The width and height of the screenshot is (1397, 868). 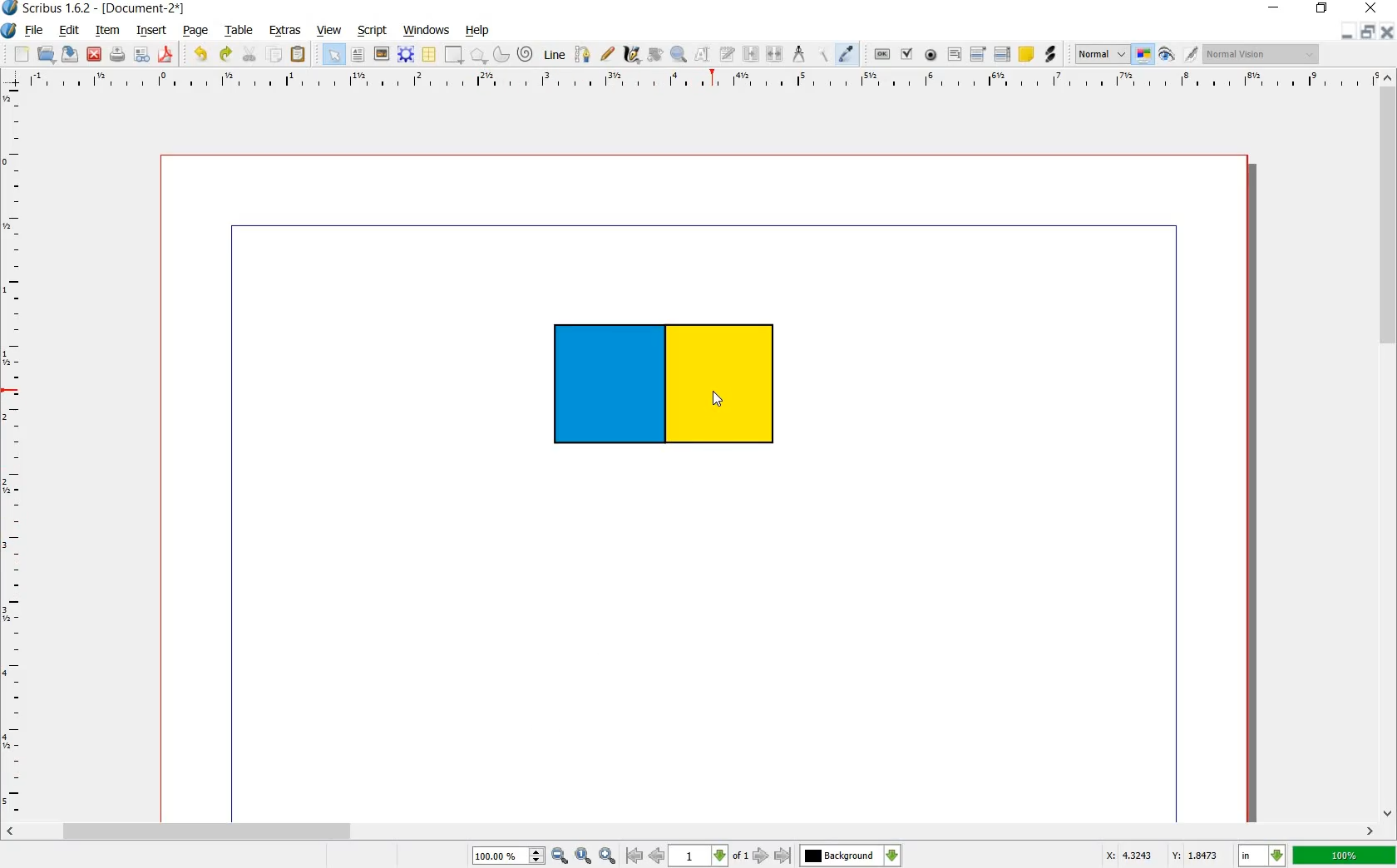 What do you see at coordinates (118, 55) in the screenshot?
I see `print` at bounding box center [118, 55].